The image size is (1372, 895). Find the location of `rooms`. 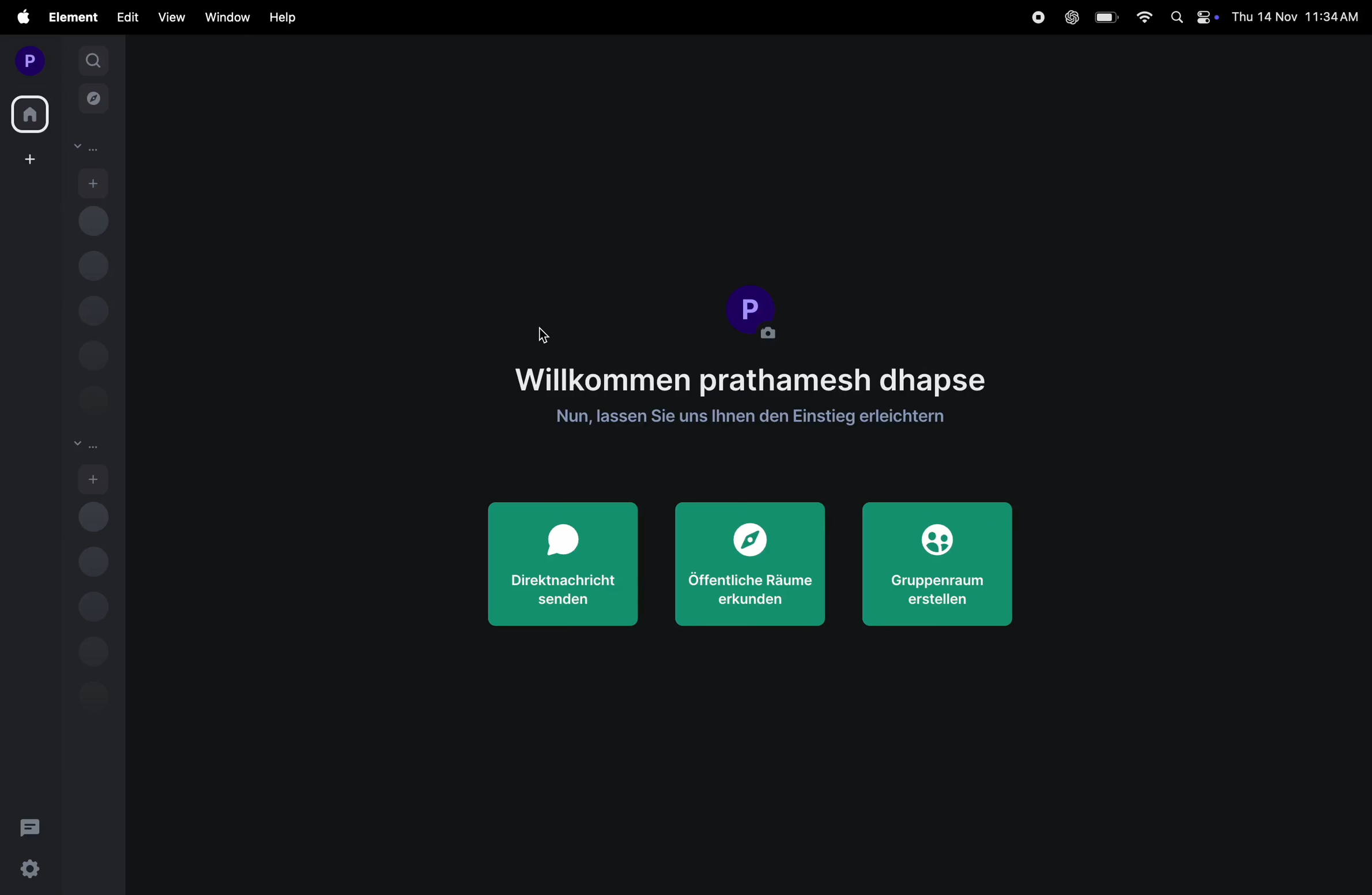

rooms is located at coordinates (86, 446).